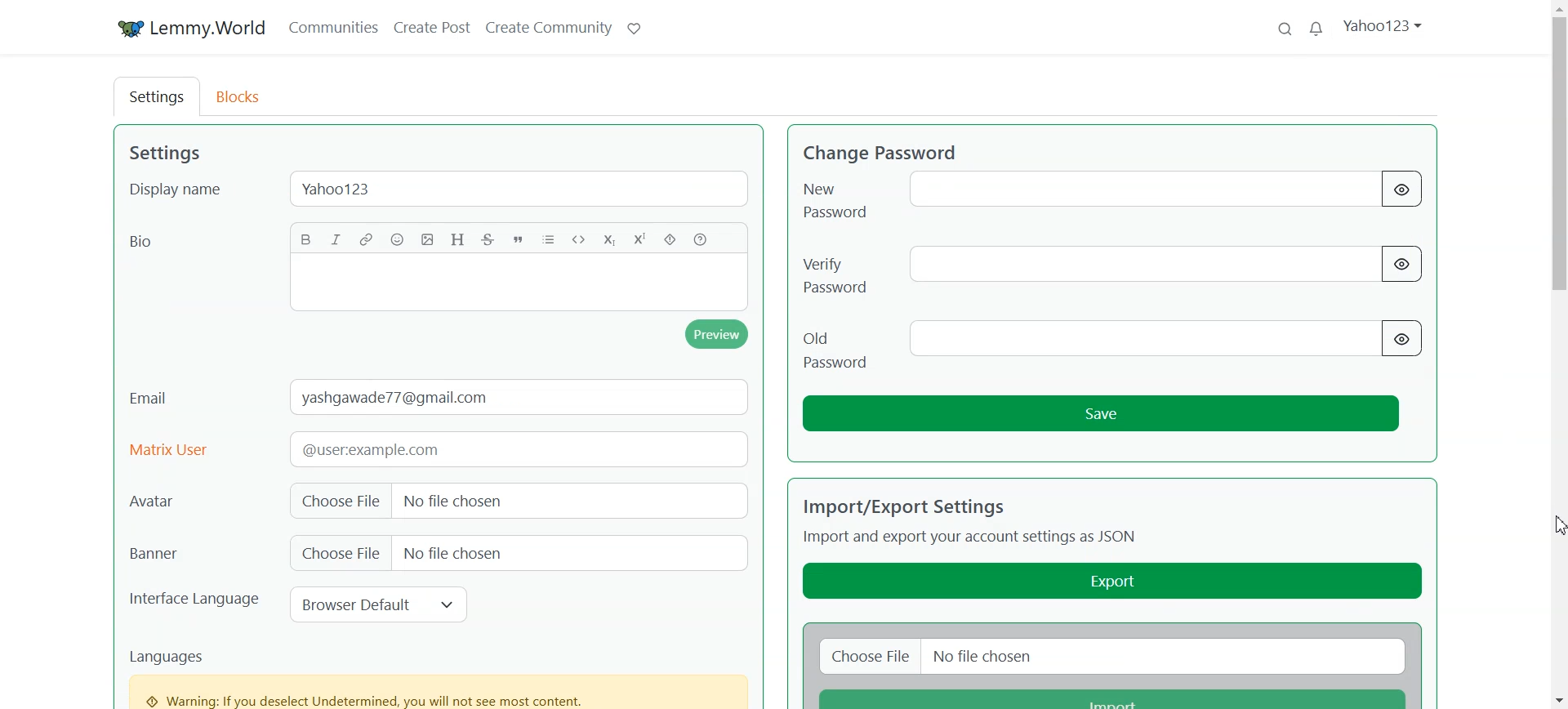 This screenshot has width=1568, height=709. Describe the element at coordinates (519, 239) in the screenshot. I see `Quote ` at that location.